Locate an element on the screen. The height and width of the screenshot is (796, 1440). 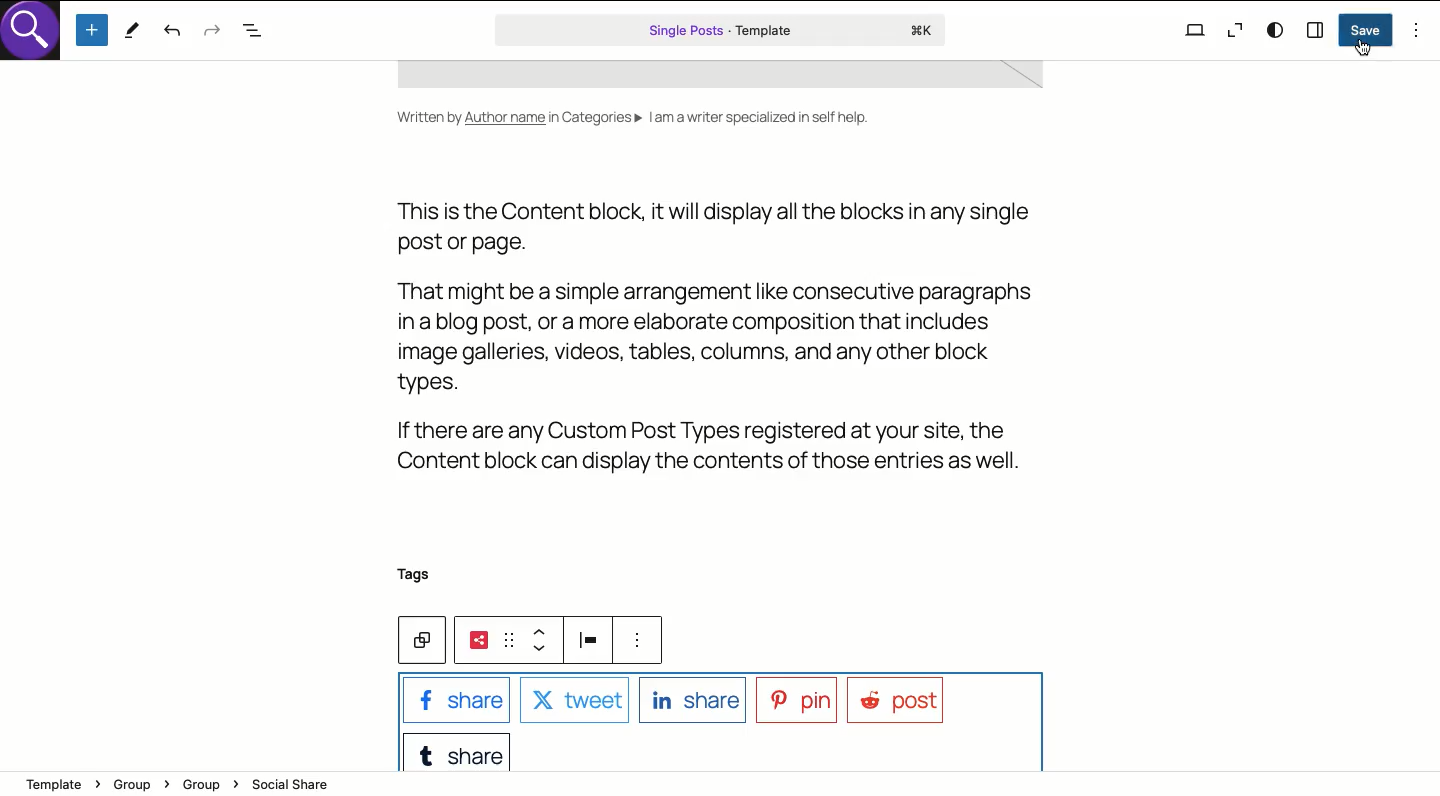
This is the Content block, it will display all the blocks in any single
post or page.

That might be a simple arrangement like consecutive paragraphs
ina blog post, or a more elaborate composition that includes
image galleries, videos, tables, columns, and any other block
types.

If there are any Custom Post Types registered at your site, the
Content block can display the contents of those entries as well. is located at coordinates (712, 341).